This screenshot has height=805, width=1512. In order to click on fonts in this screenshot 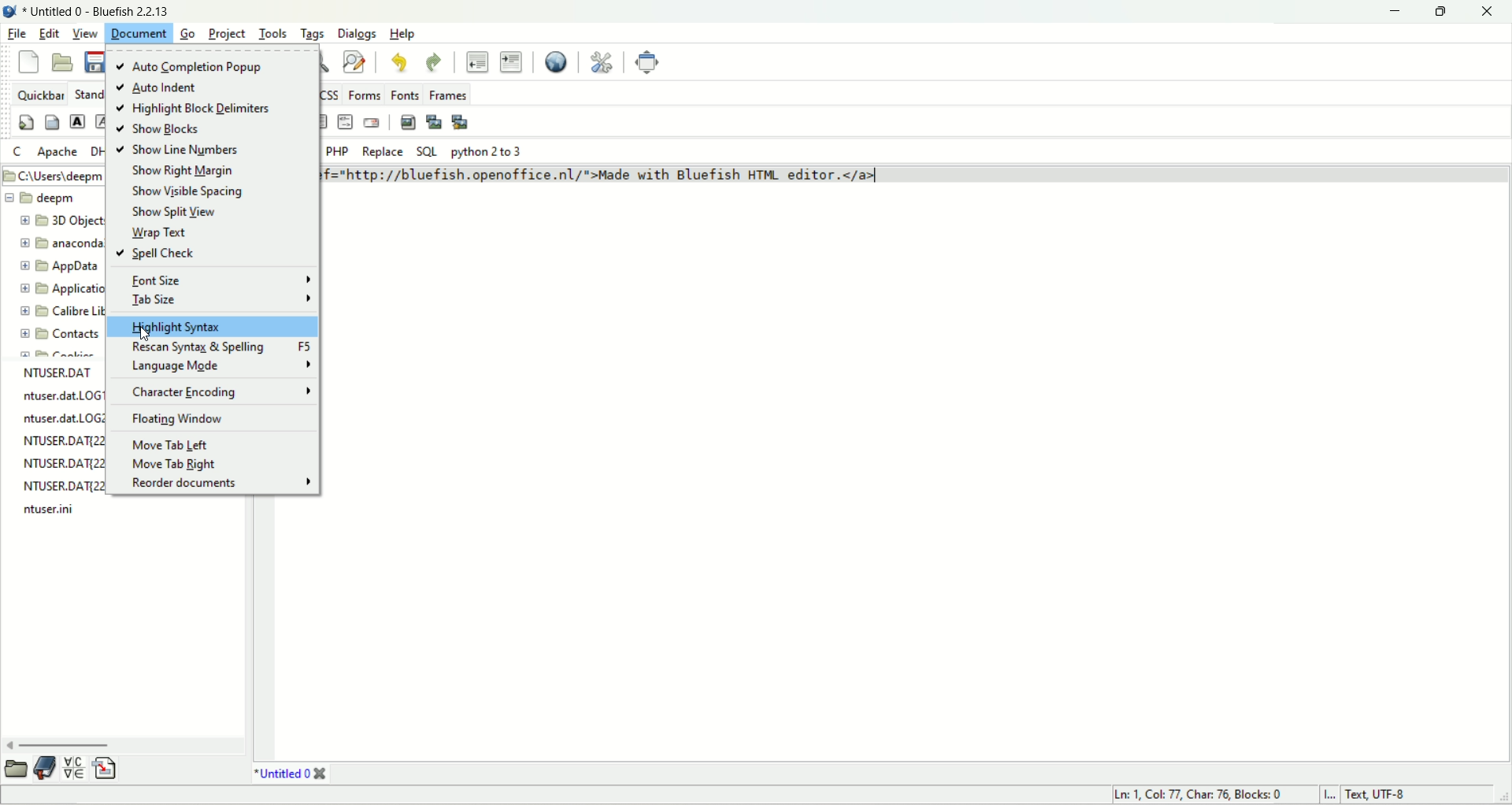, I will do `click(404, 92)`.